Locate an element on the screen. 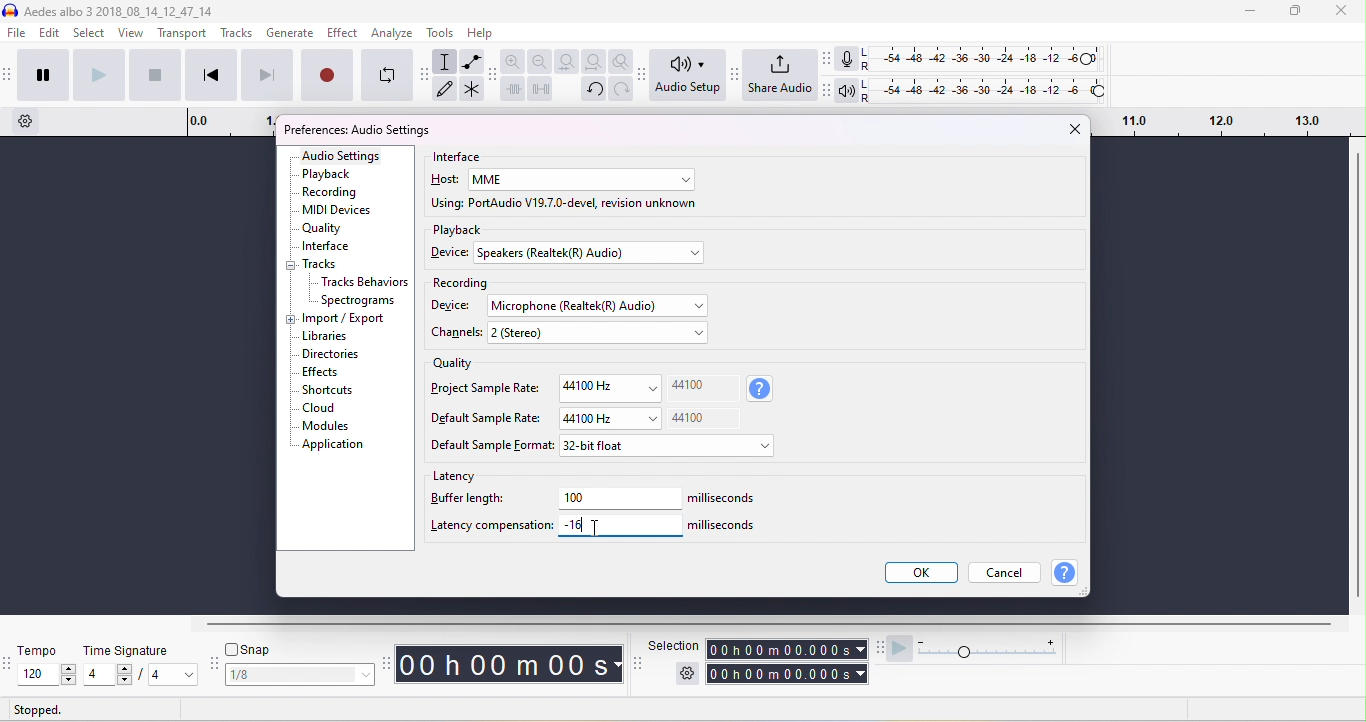  enable looping is located at coordinates (387, 74).